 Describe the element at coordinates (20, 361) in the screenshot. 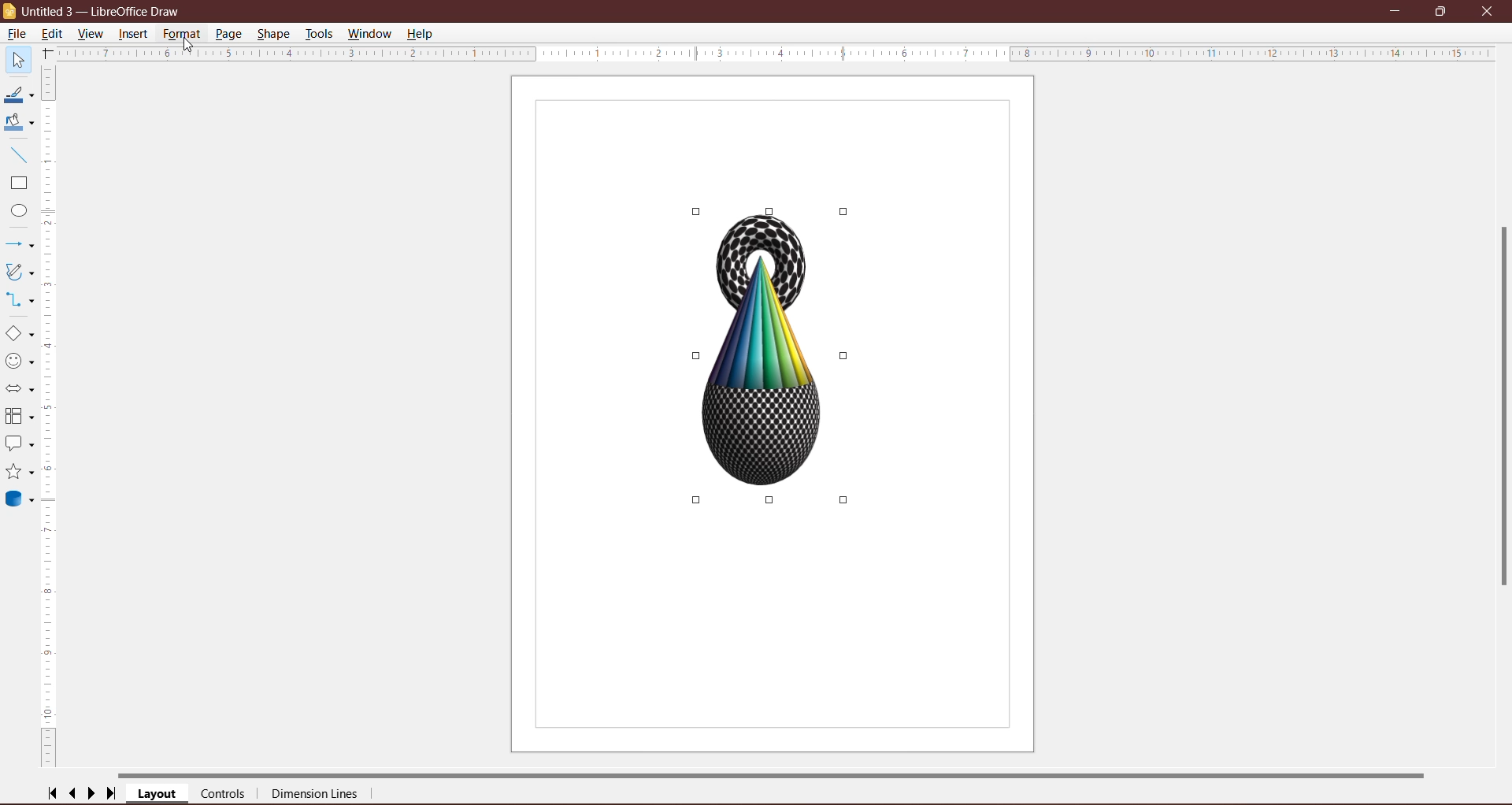

I see `Symbol Shapes` at that location.